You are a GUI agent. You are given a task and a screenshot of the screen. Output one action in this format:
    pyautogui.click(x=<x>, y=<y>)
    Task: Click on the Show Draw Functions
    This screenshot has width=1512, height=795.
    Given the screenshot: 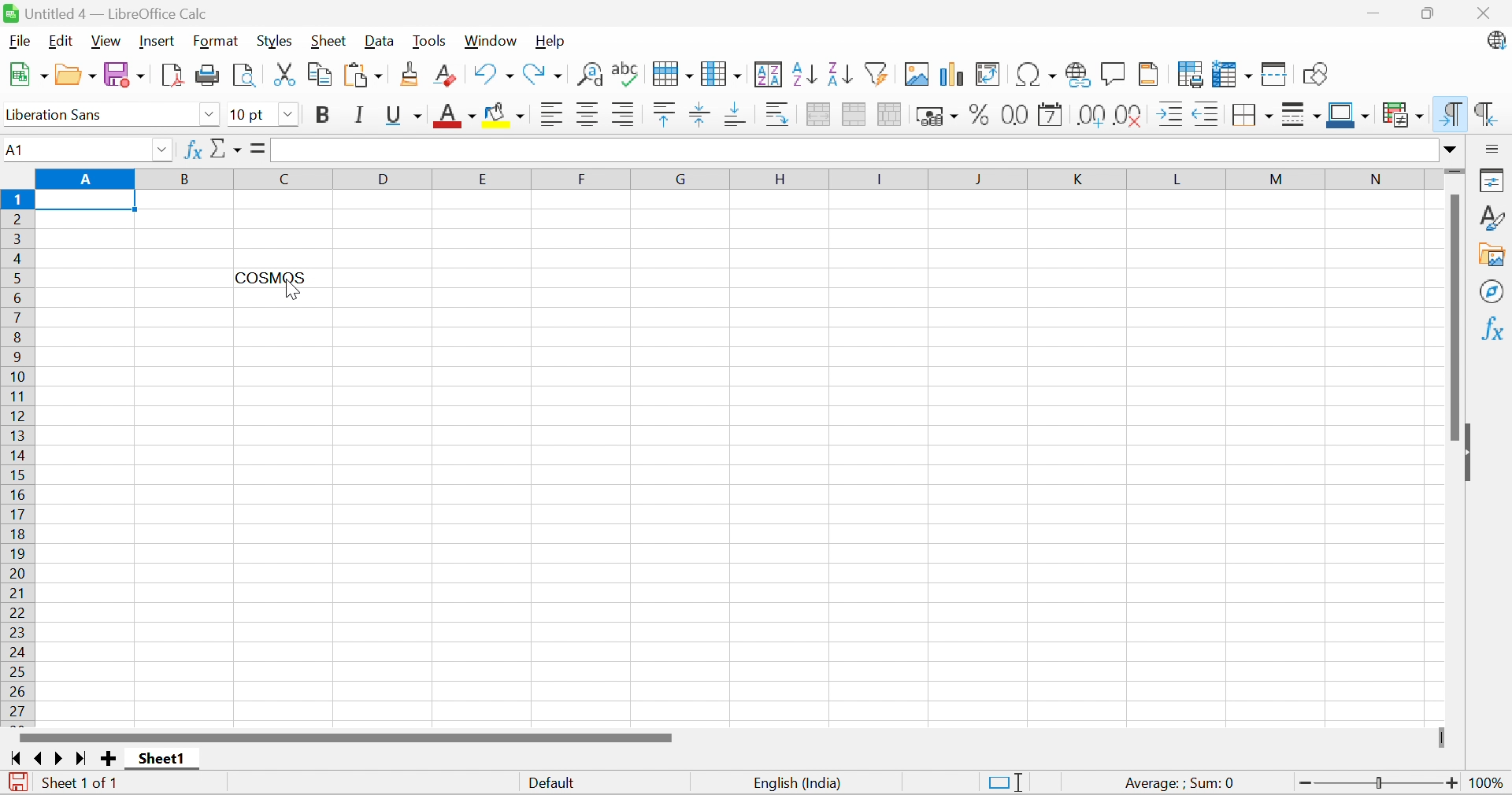 What is the action you would take?
    pyautogui.click(x=1315, y=72)
    